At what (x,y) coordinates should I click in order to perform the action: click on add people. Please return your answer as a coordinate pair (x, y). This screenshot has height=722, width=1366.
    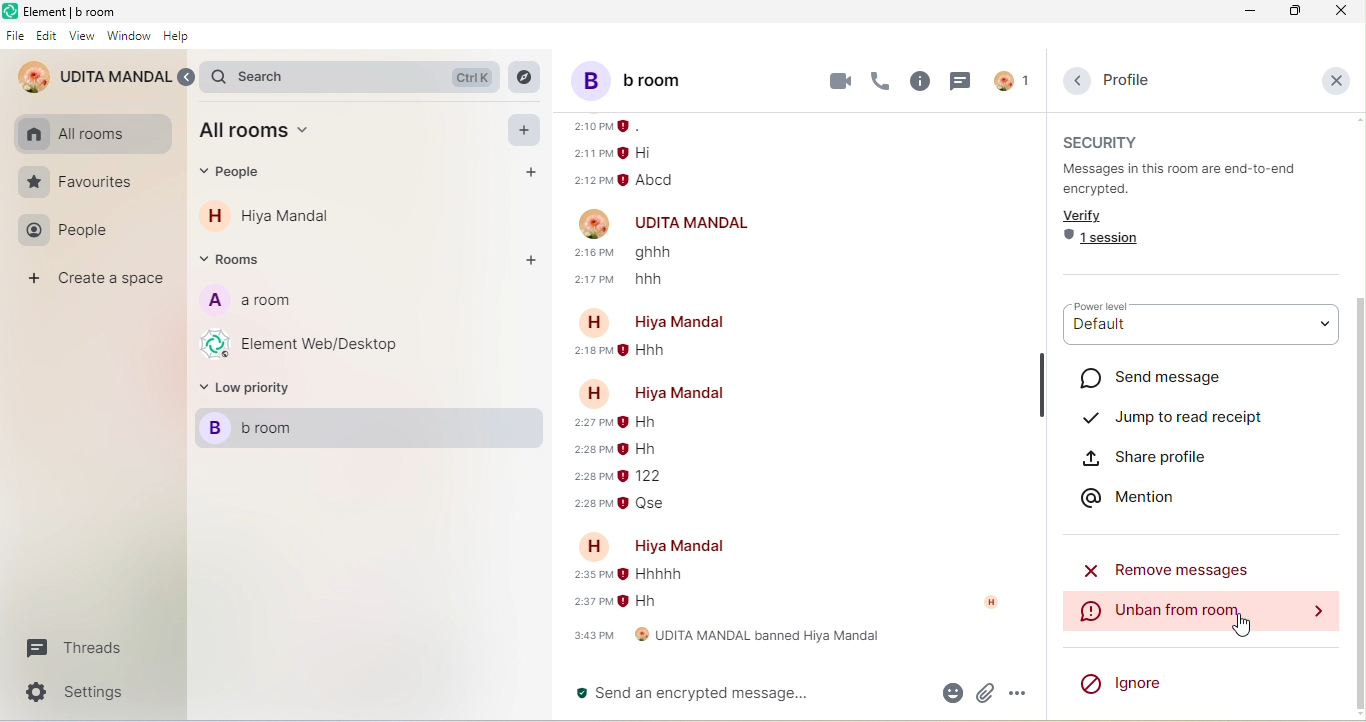
    Looking at the image, I should click on (526, 172).